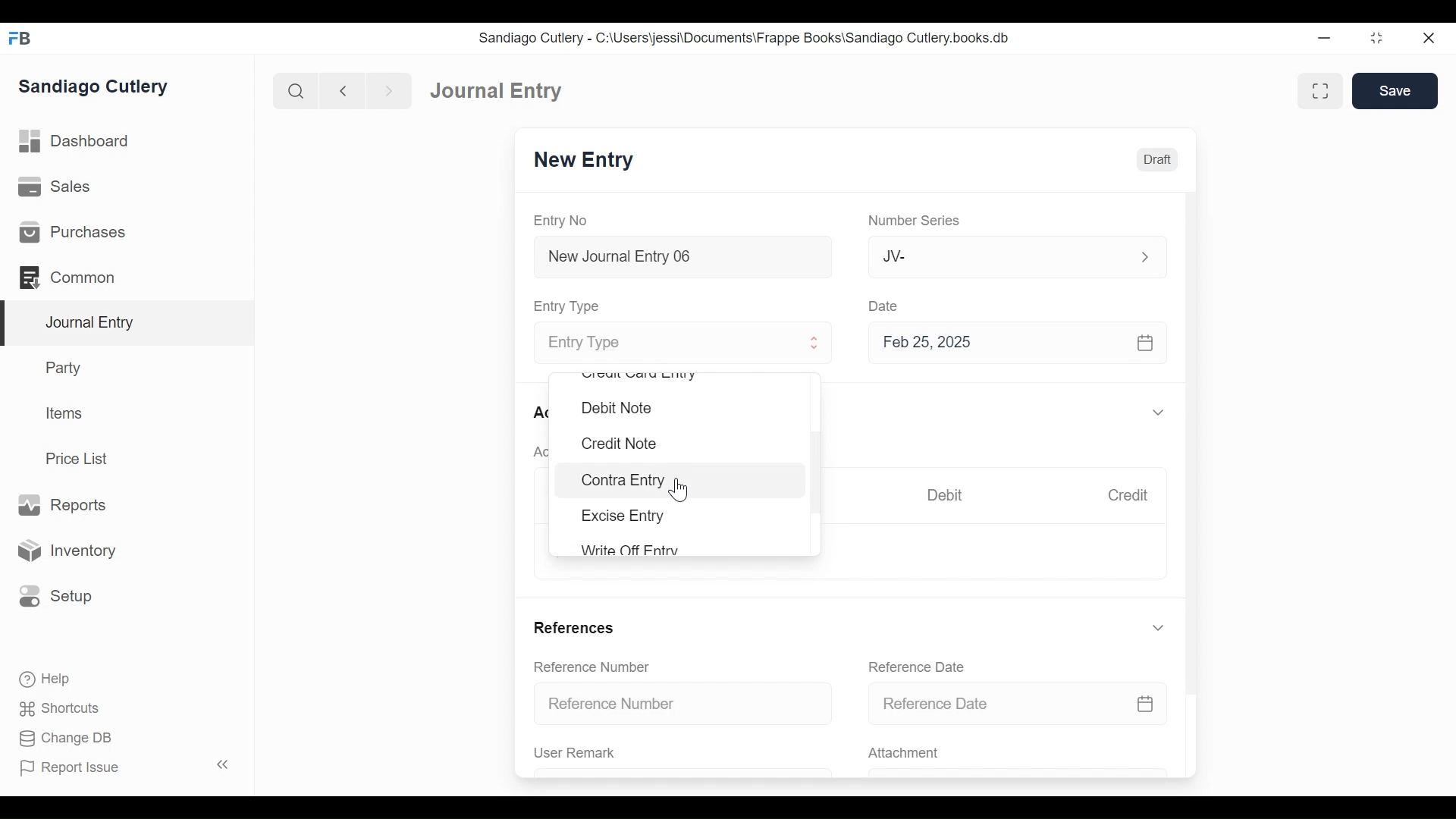 This screenshot has width=1456, height=819. I want to click on Attachment, so click(902, 754).